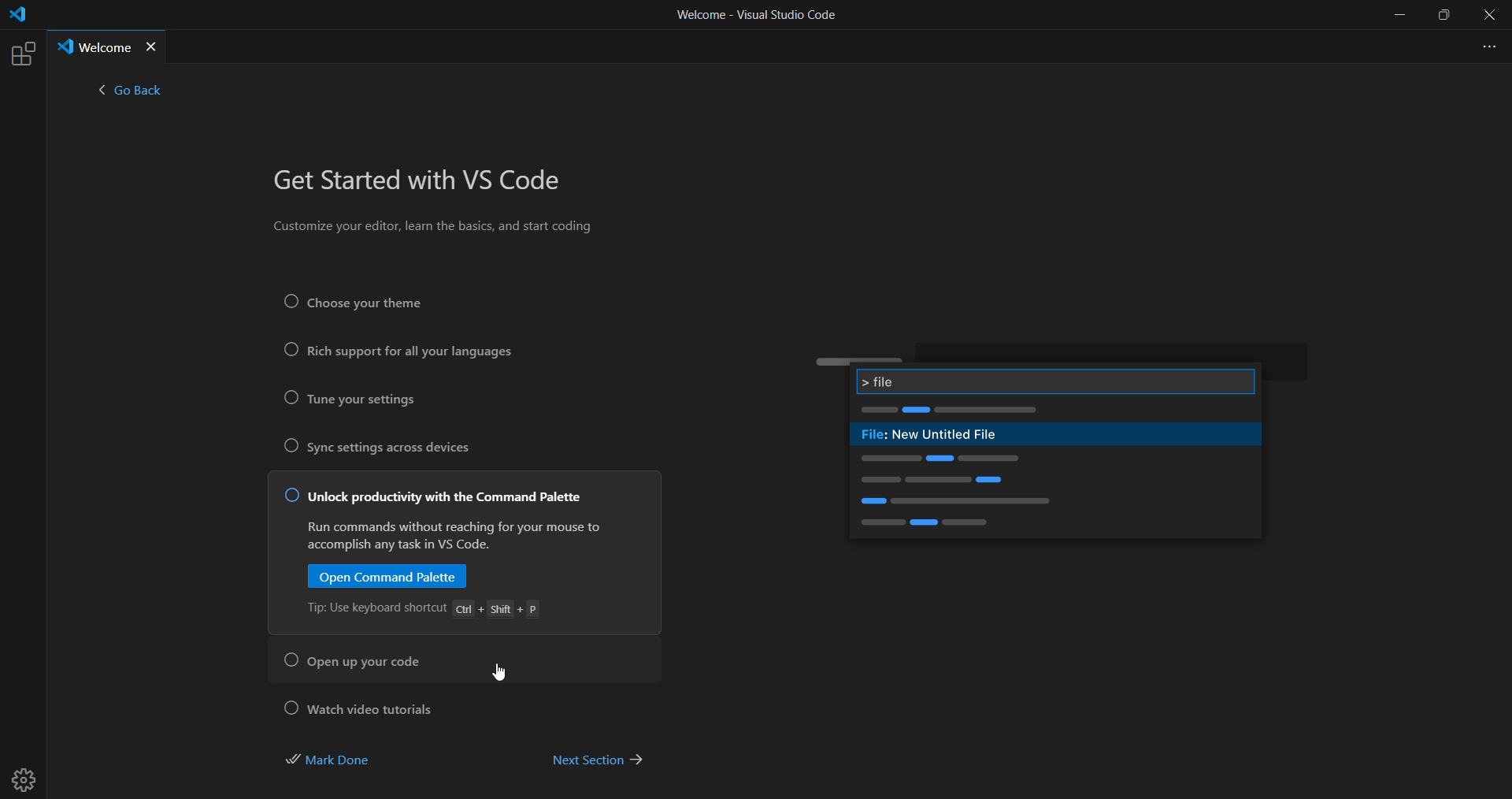  What do you see at coordinates (1054, 411) in the screenshot?
I see `sample` at bounding box center [1054, 411].